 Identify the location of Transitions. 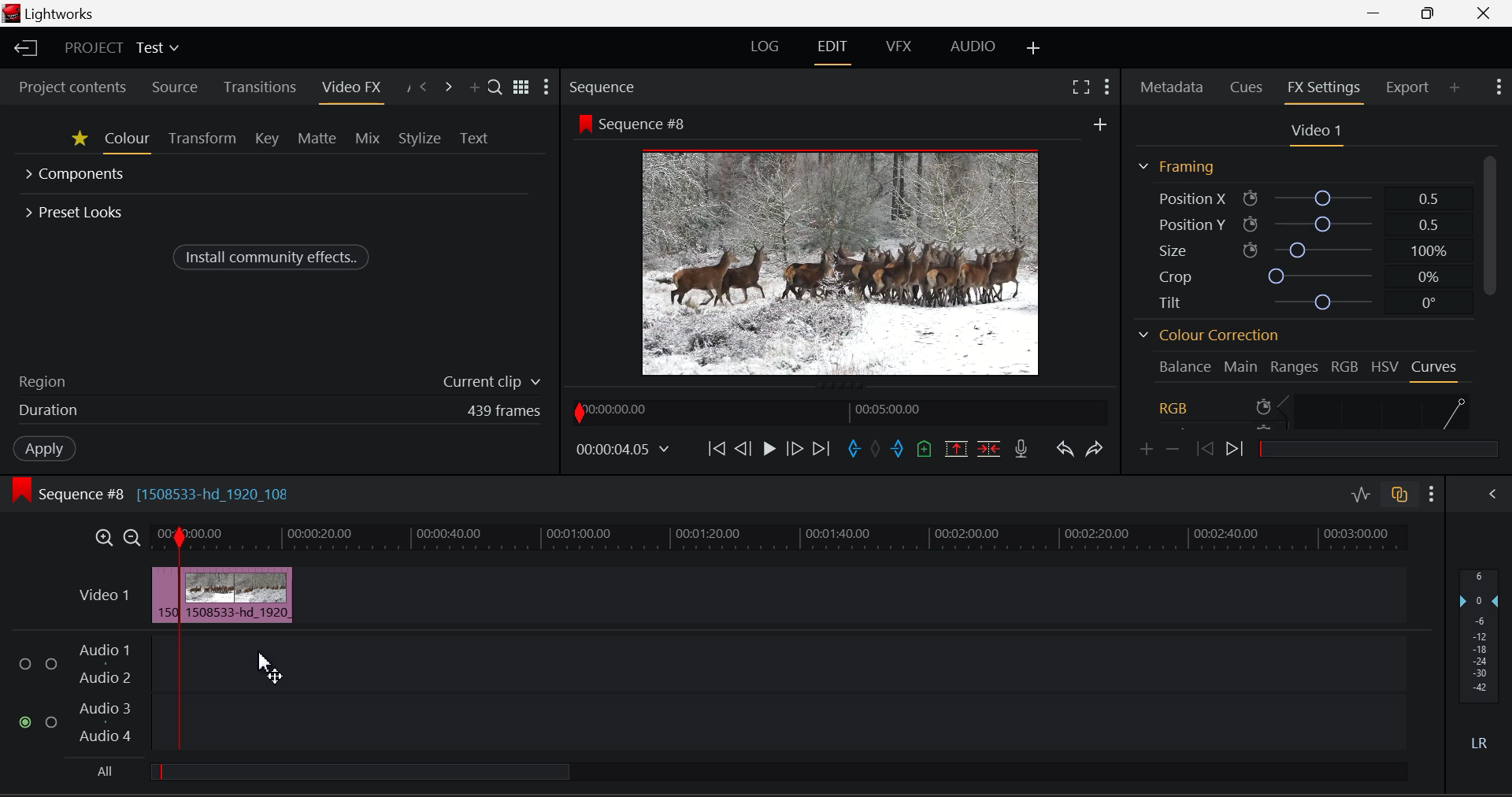
(259, 87).